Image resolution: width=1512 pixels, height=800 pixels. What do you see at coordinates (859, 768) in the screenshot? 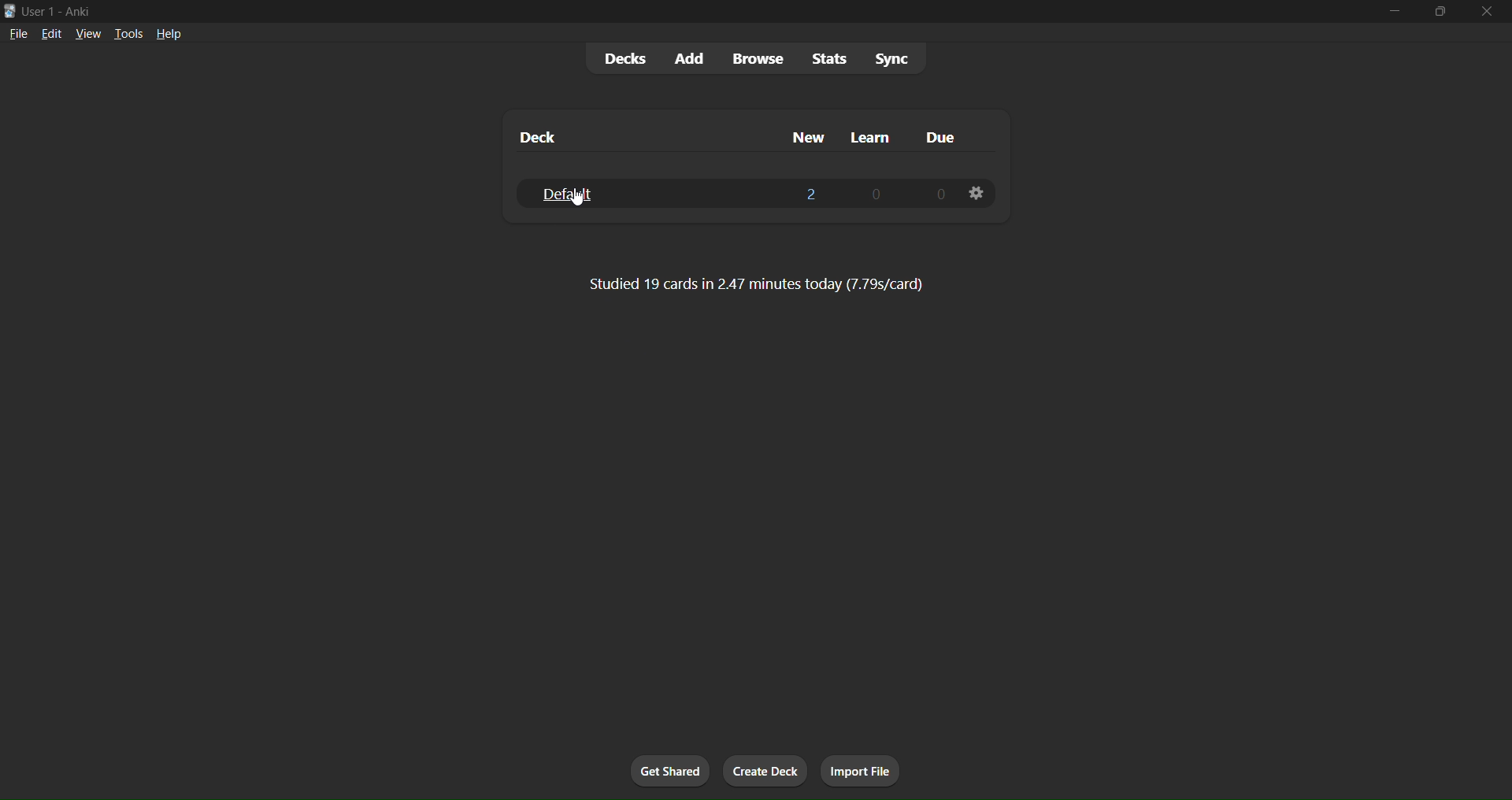
I see `import file` at bounding box center [859, 768].